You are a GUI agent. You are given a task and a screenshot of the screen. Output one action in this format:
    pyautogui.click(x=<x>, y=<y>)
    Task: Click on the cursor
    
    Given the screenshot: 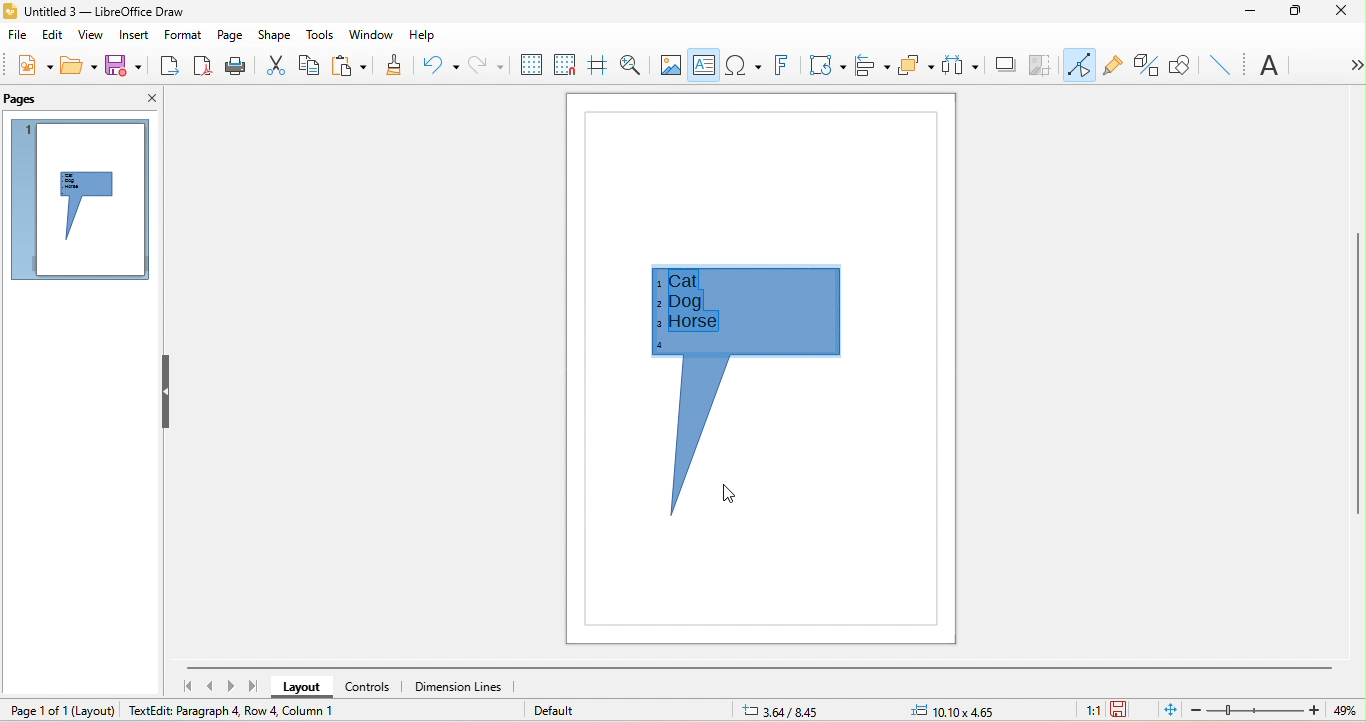 What is the action you would take?
    pyautogui.click(x=729, y=495)
    